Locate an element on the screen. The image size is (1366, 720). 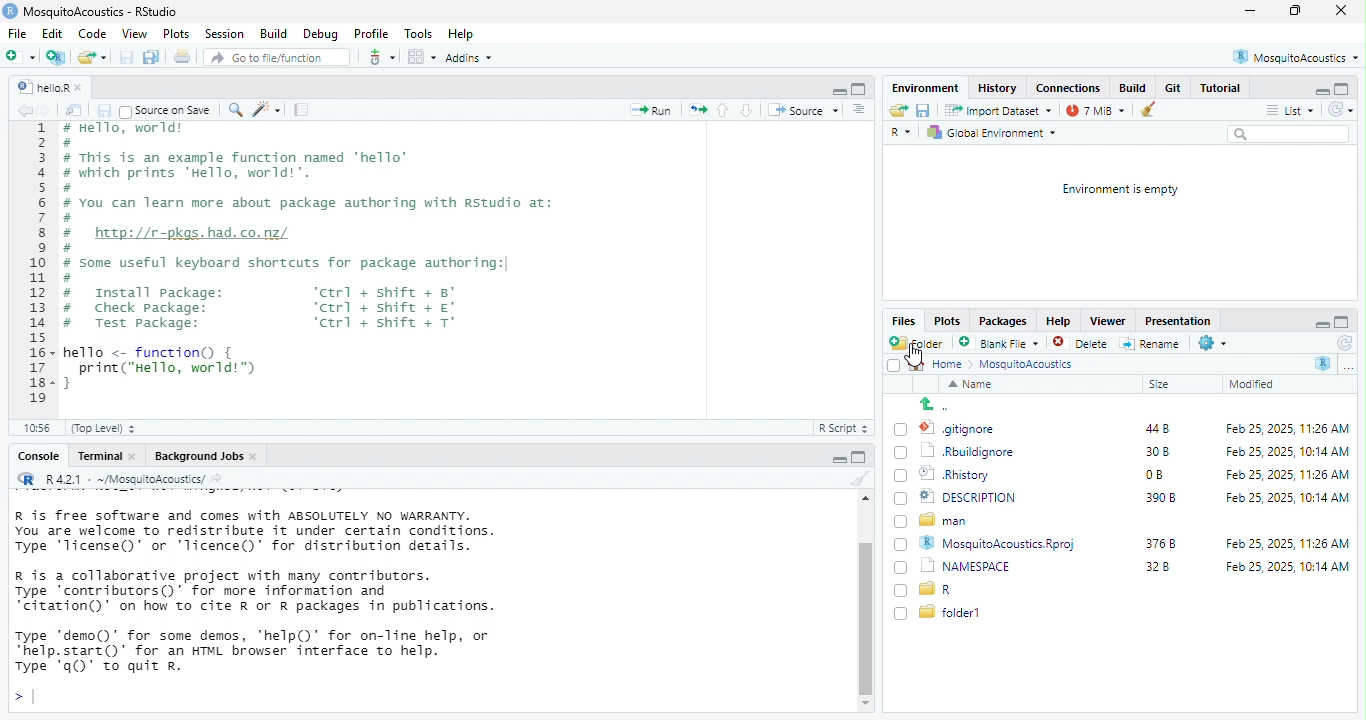
blank file is located at coordinates (999, 343).